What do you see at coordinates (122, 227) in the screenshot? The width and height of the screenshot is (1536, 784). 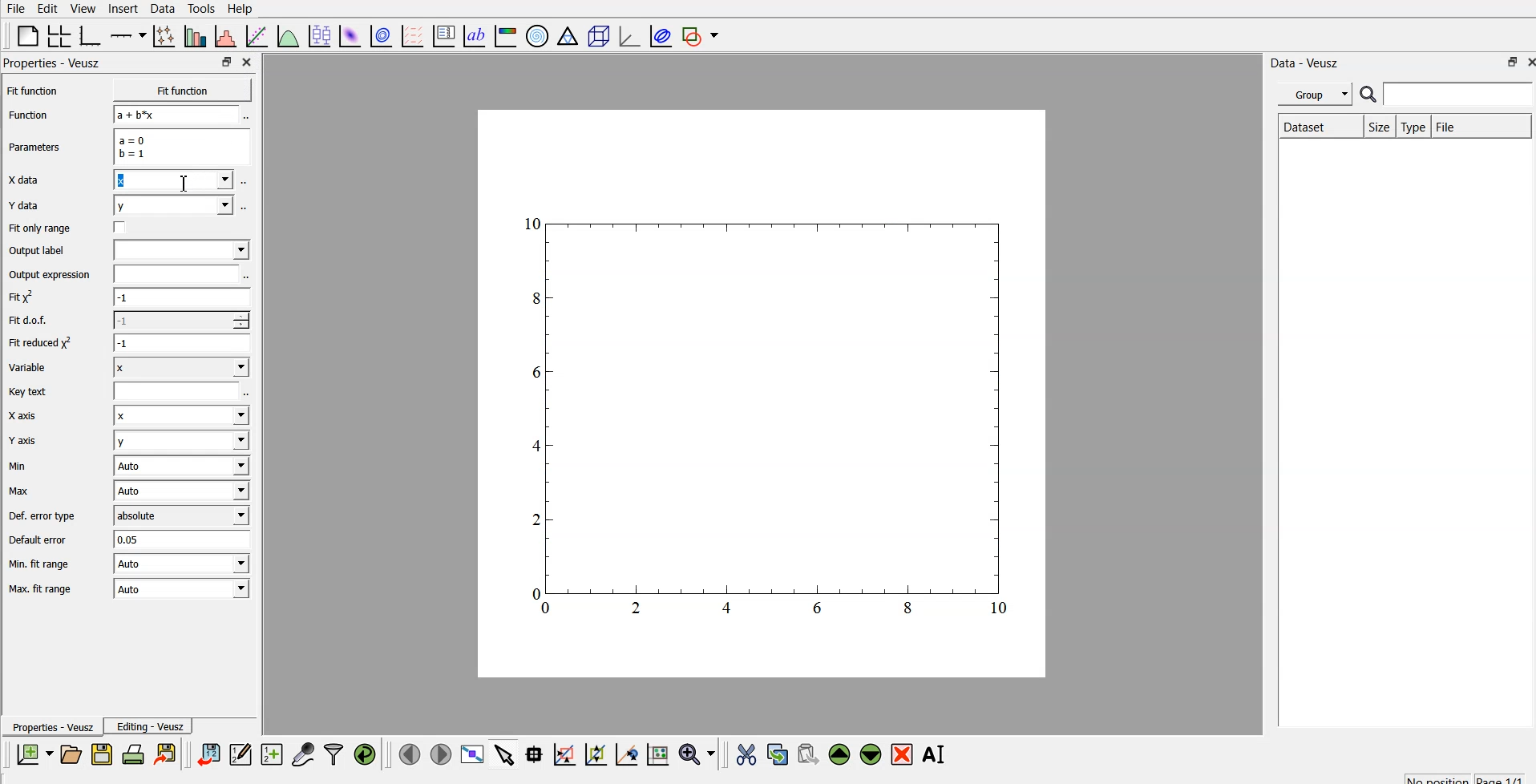 I see `check box` at bounding box center [122, 227].